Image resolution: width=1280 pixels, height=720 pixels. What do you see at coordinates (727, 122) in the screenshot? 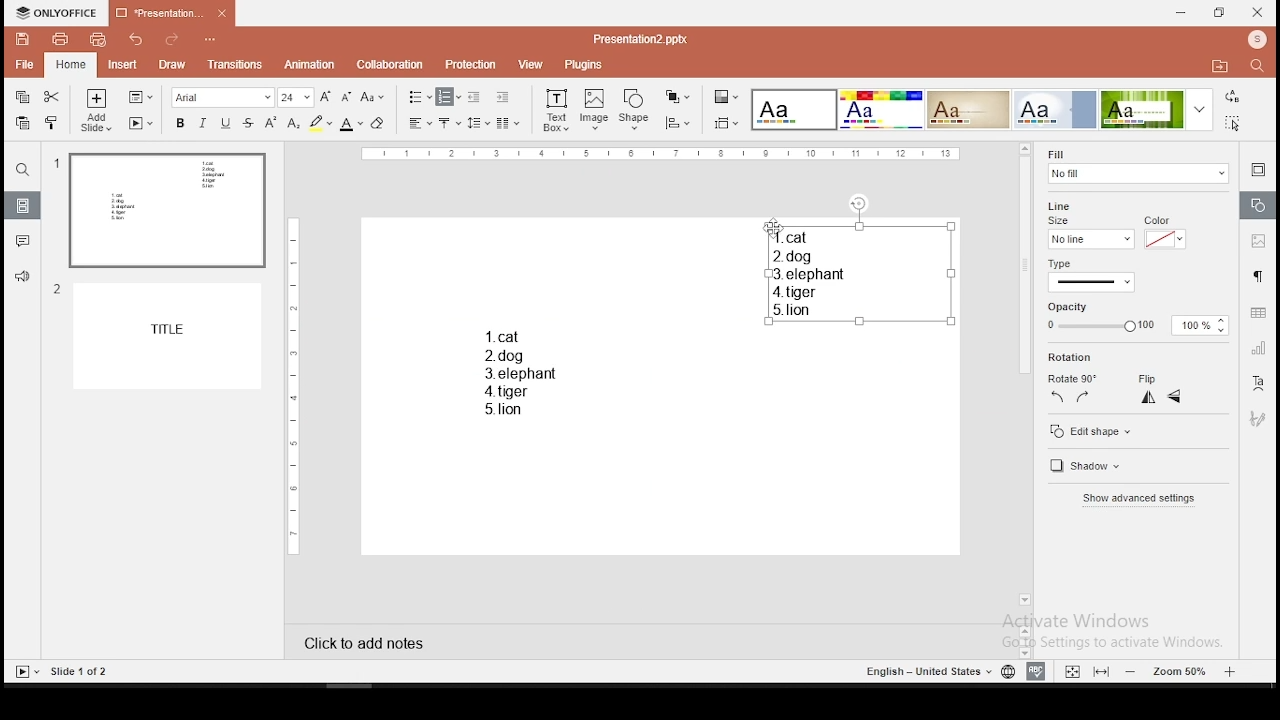
I see `select slide size` at bounding box center [727, 122].